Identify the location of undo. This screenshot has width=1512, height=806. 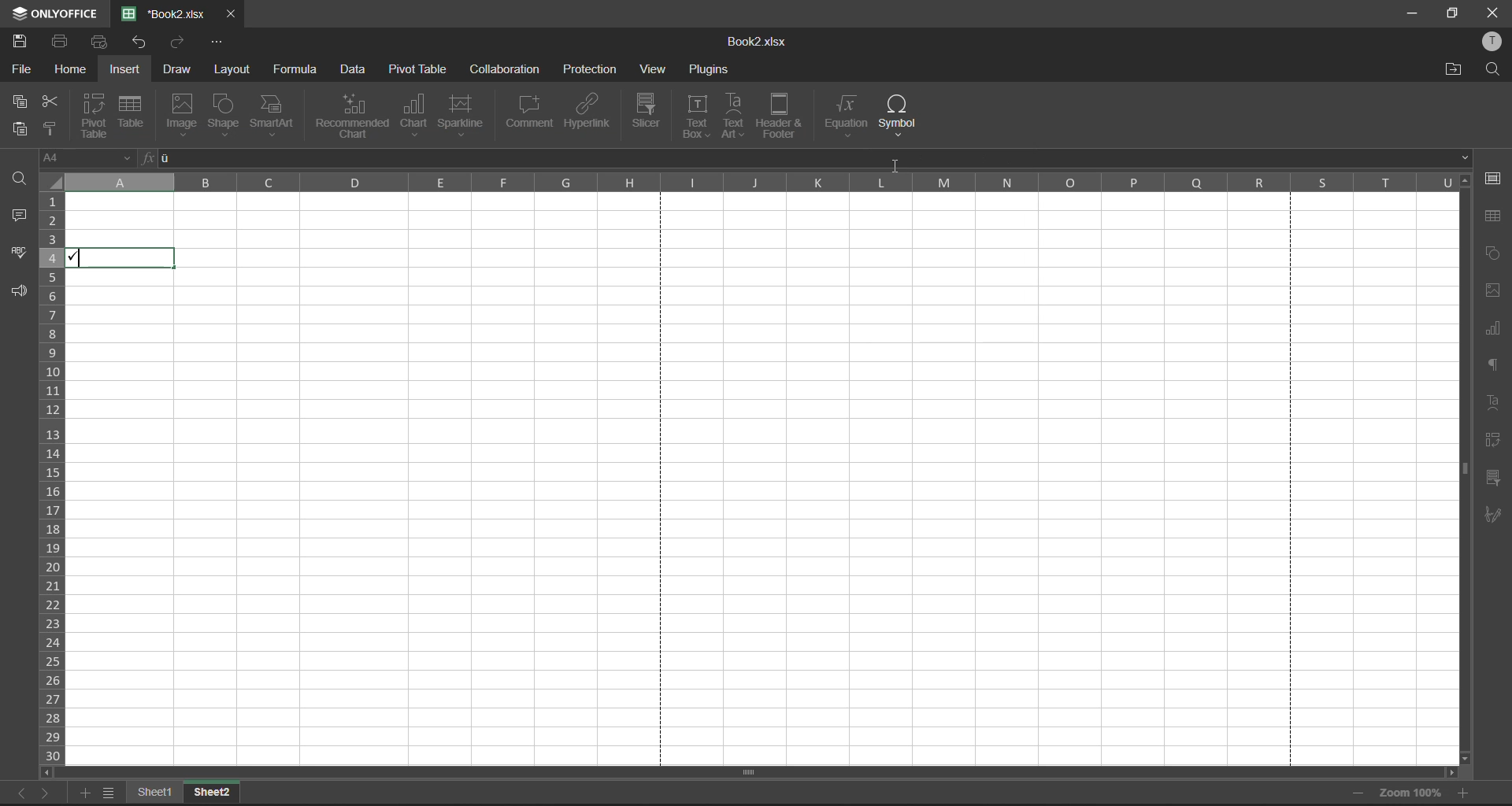
(141, 46).